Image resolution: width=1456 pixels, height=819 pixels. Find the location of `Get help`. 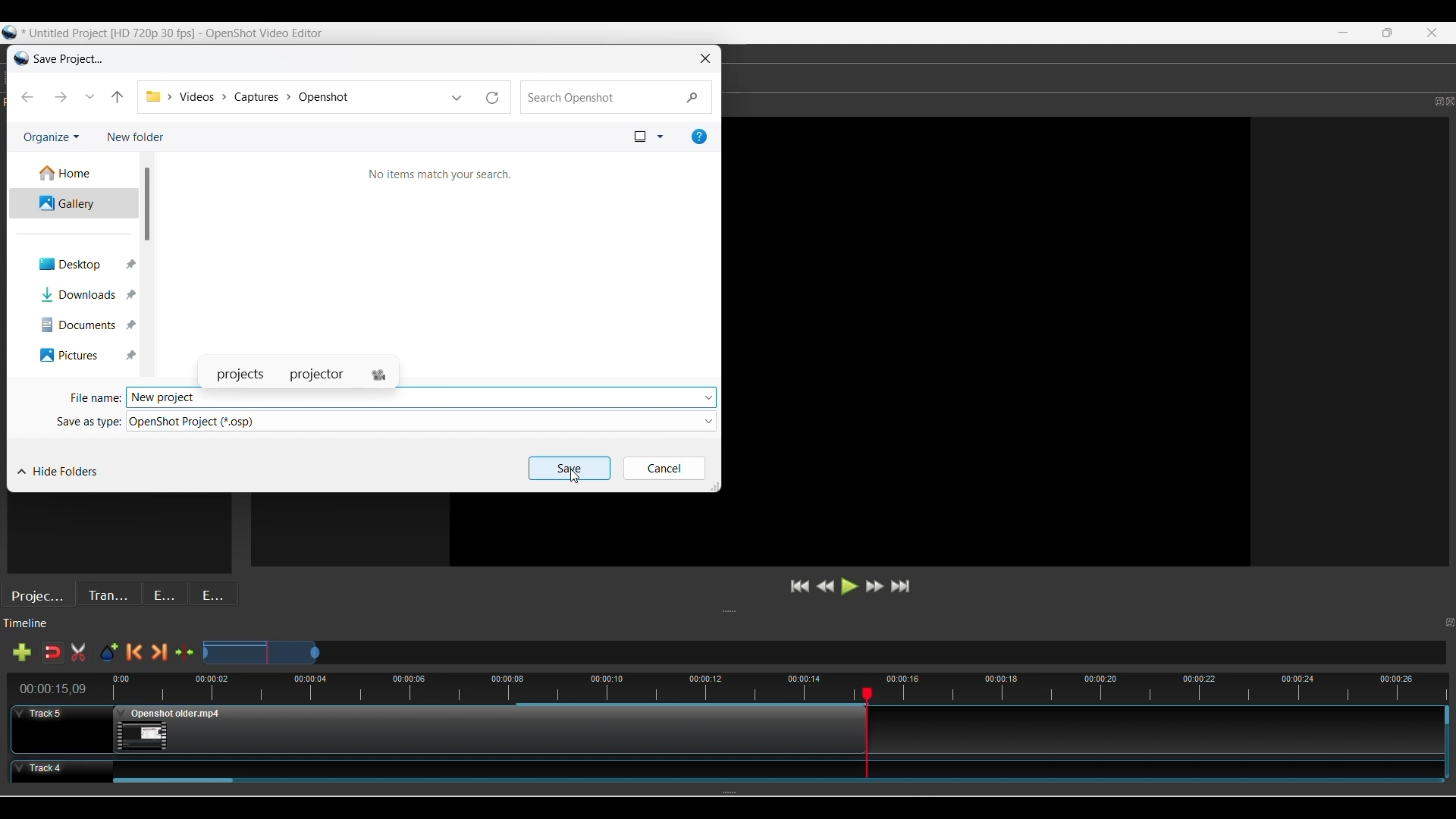

Get help is located at coordinates (700, 136).